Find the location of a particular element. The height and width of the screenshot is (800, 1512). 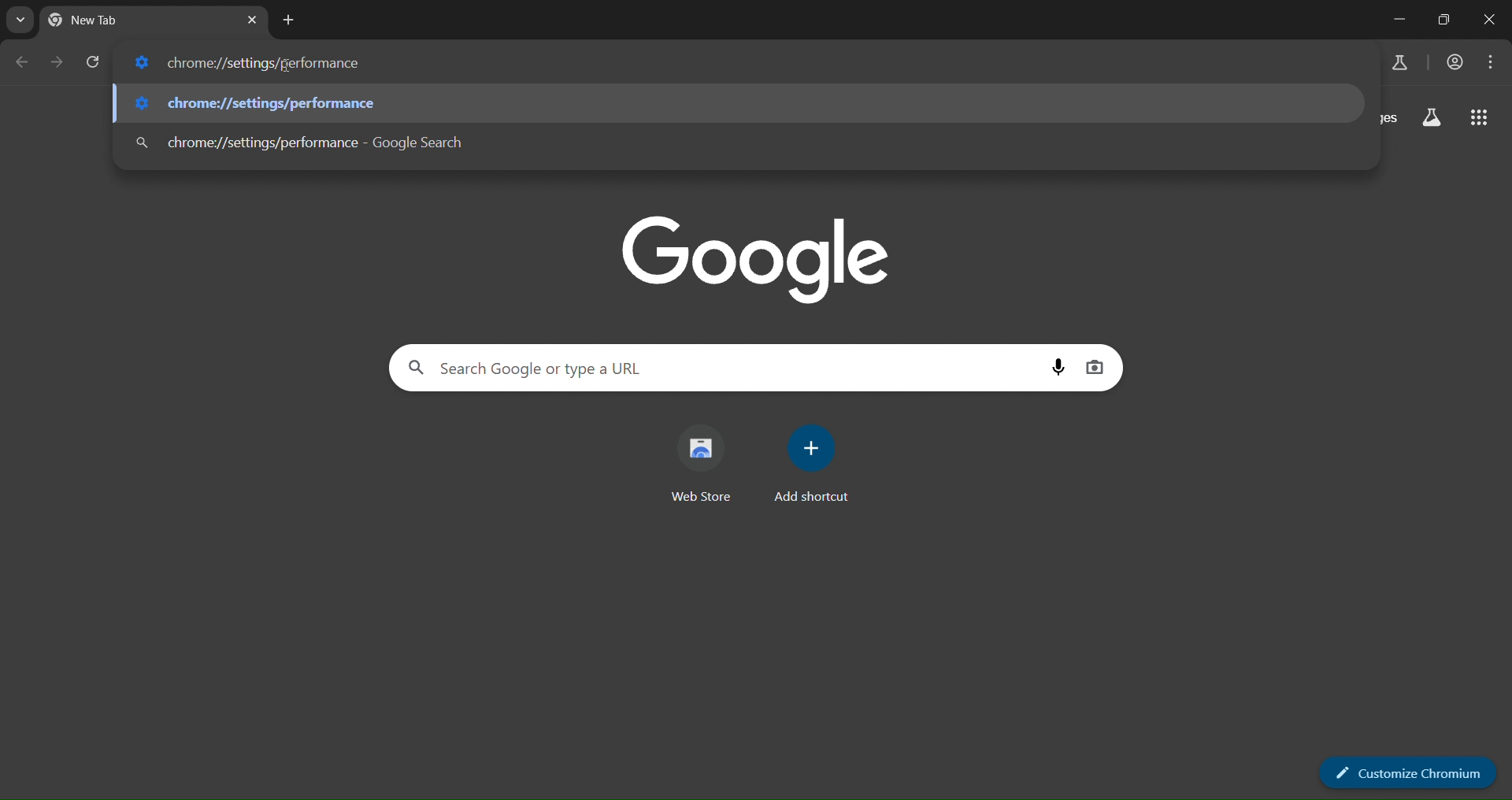

account is located at coordinates (1456, 59).